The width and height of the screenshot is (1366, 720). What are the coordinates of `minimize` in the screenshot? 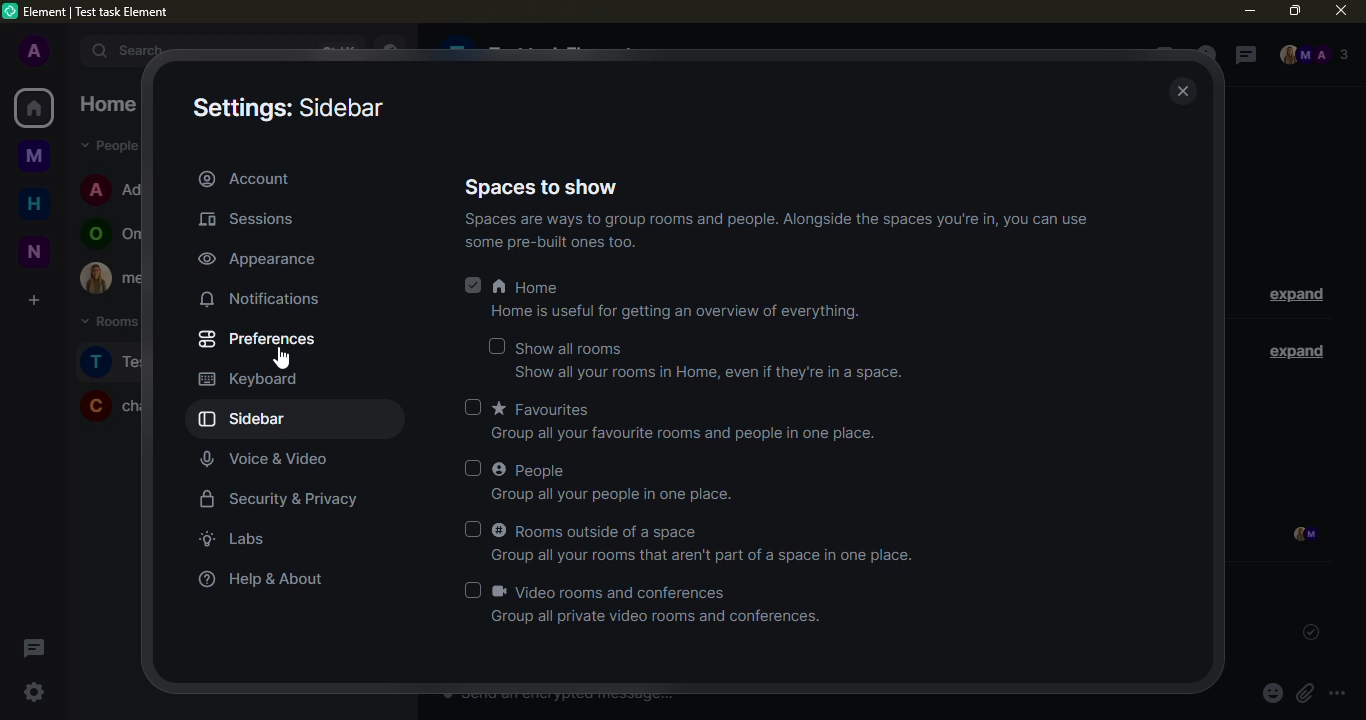 It's located at (1249, 11).